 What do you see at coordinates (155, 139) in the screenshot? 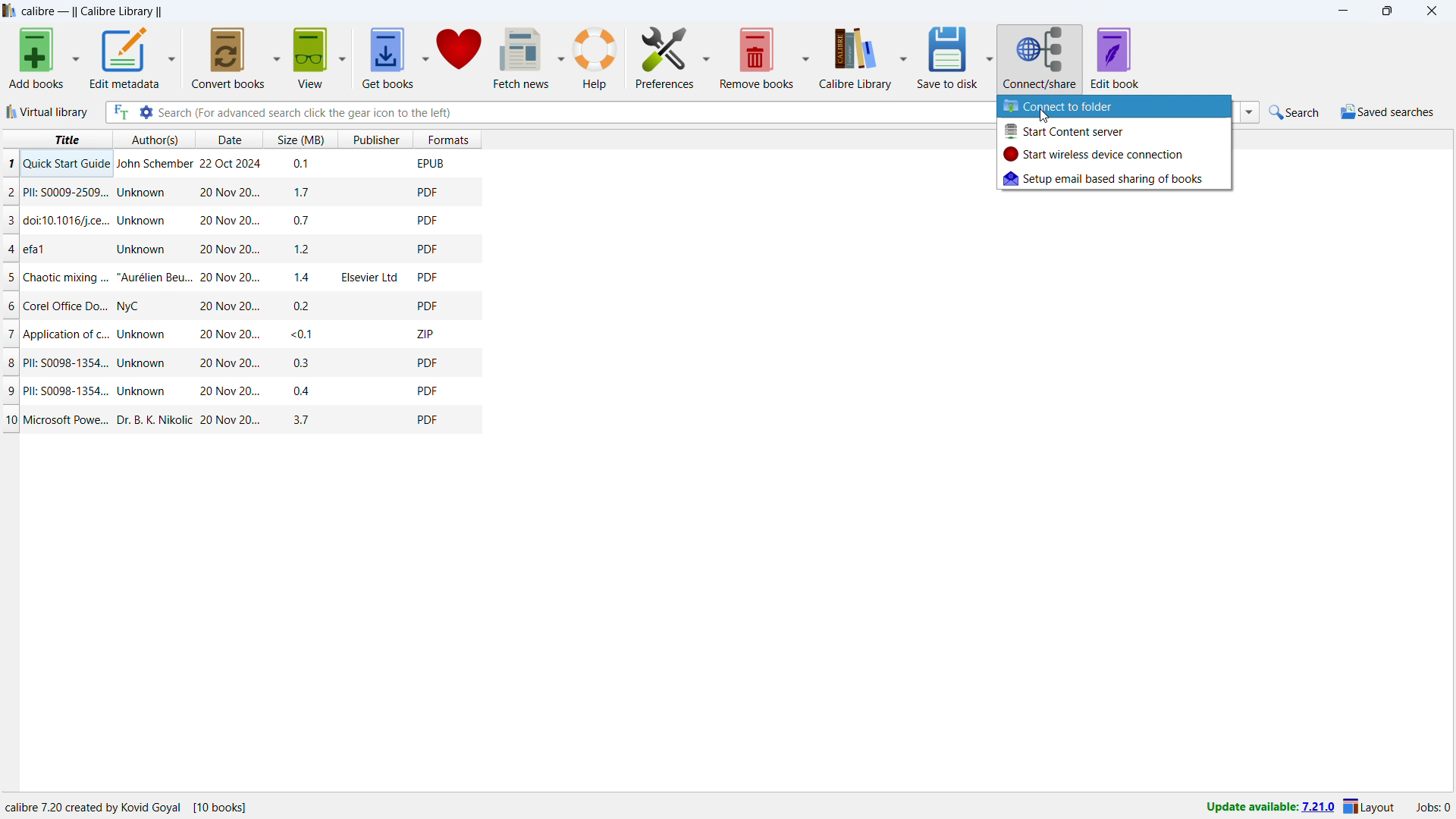
I see `sort by authors` at bounding box center [155, 139].